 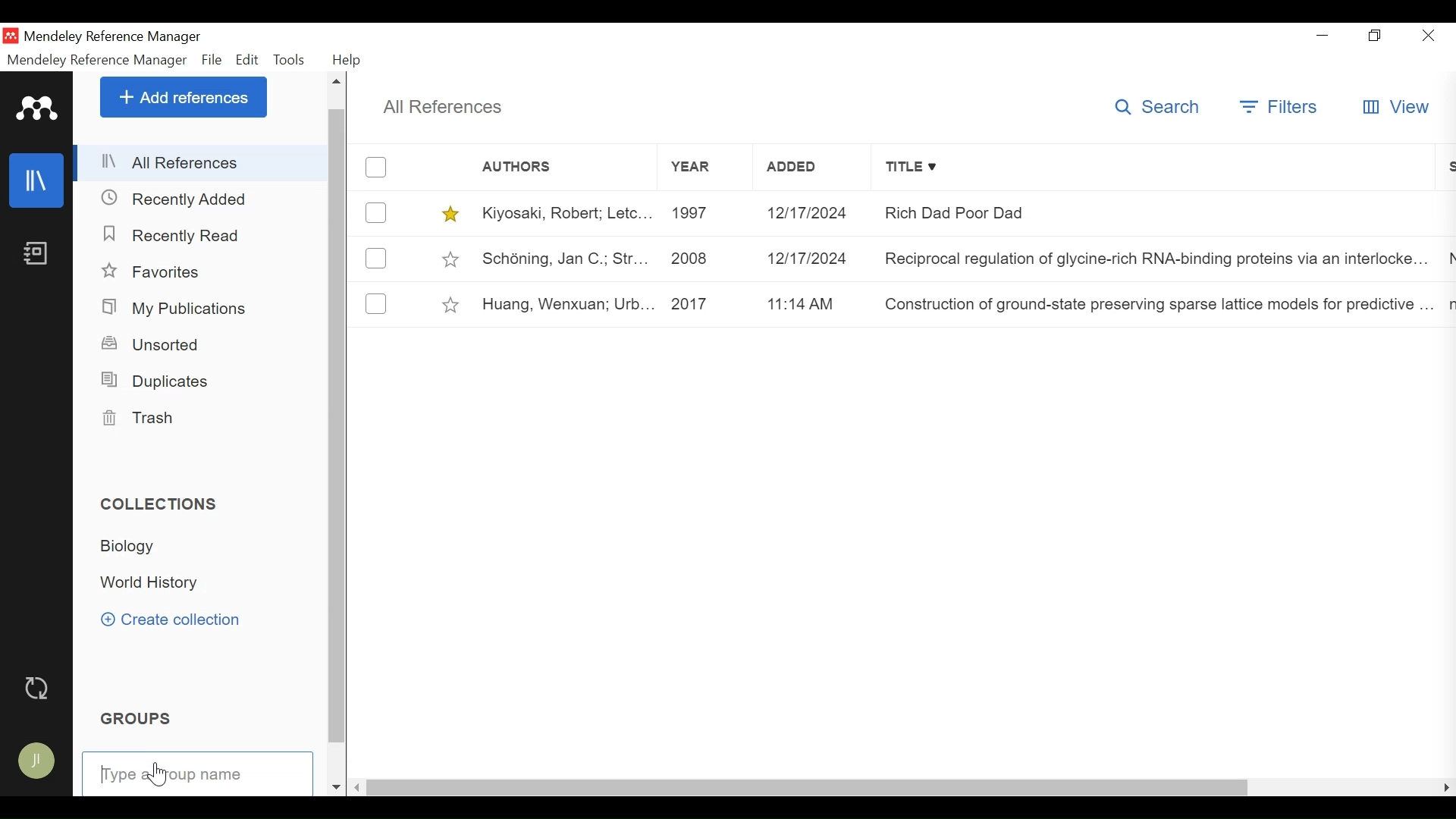 What do you see at coordinates (171, 618) in the screenshot?
I see `Create Collection` at bounding box center [171, 618].